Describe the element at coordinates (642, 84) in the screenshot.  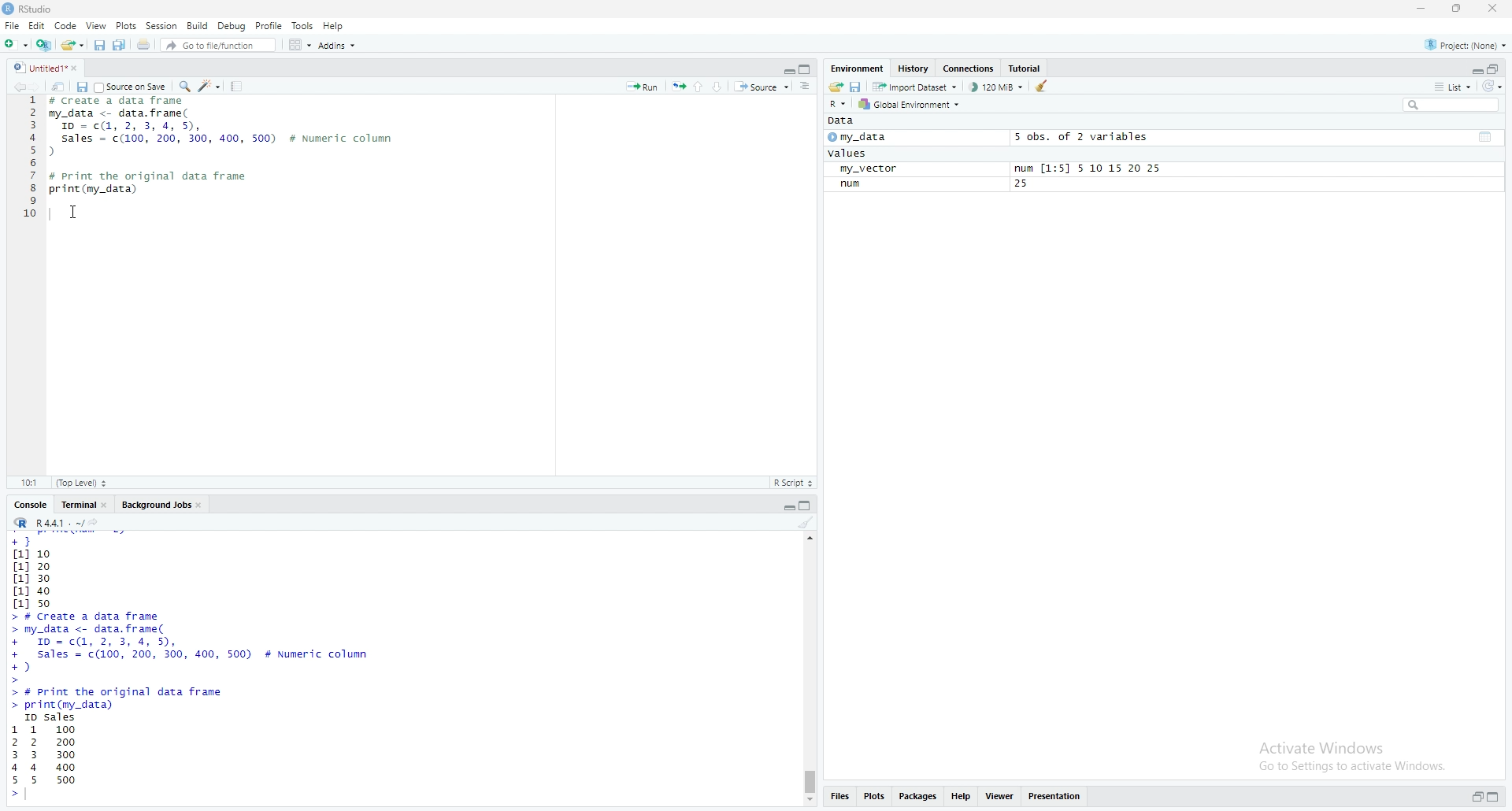
I see `run the current line or selection` at that location.